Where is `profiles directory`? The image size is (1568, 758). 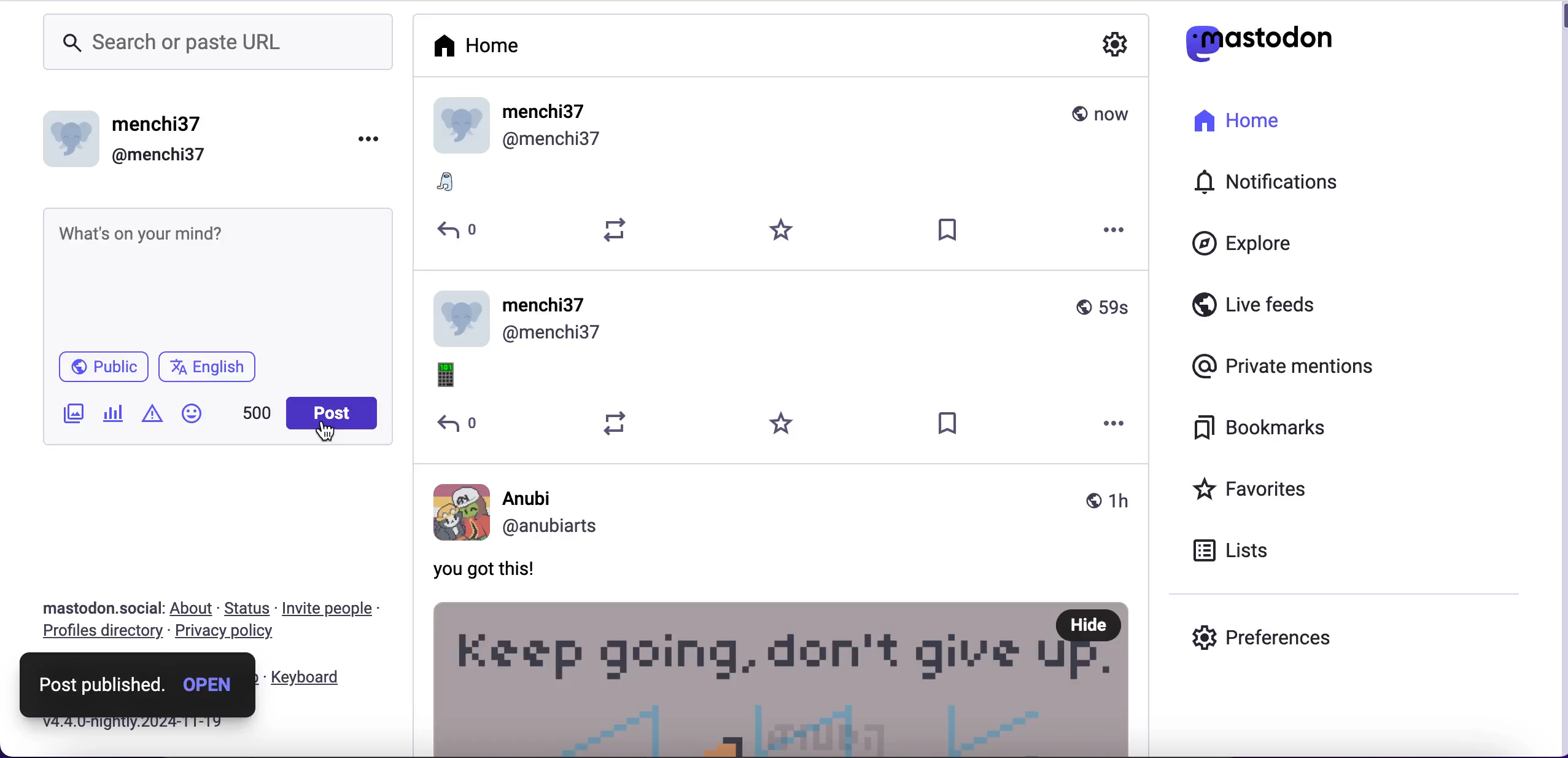 profiles directory is located at coordinates (101, 634).